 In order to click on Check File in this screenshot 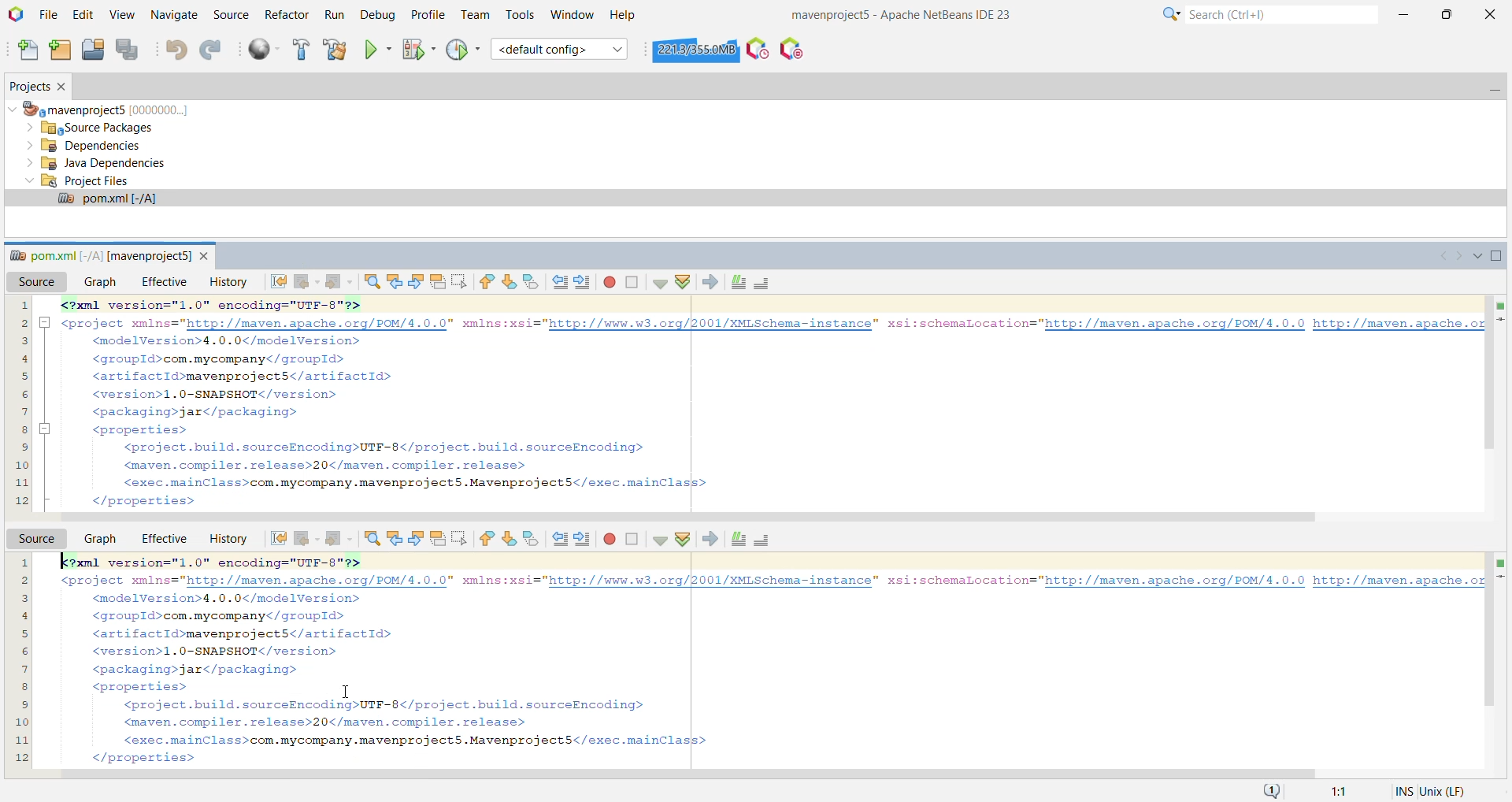, I will do `click(657, 540)`.